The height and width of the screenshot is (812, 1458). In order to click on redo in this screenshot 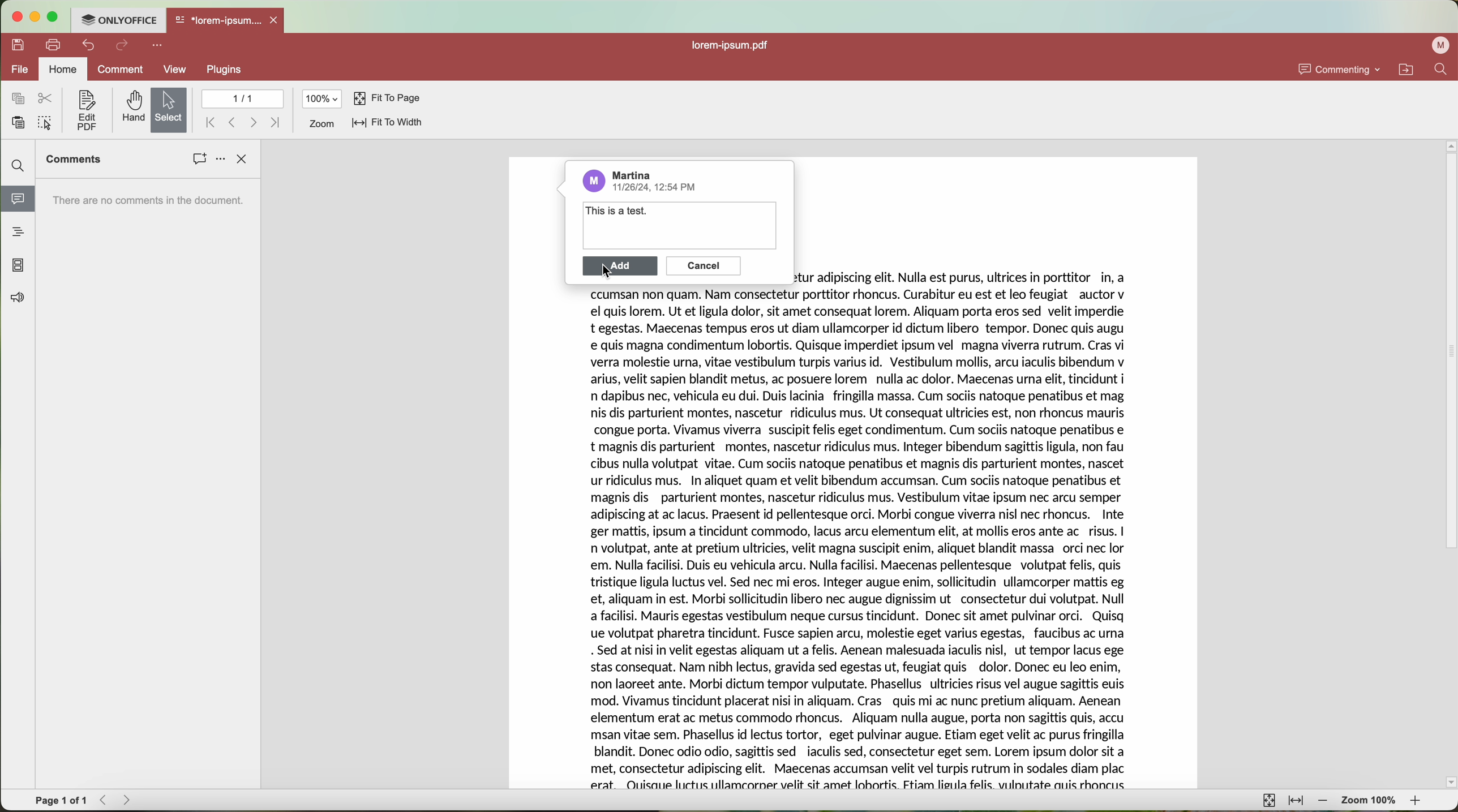, I will do `click(123, 46)`.